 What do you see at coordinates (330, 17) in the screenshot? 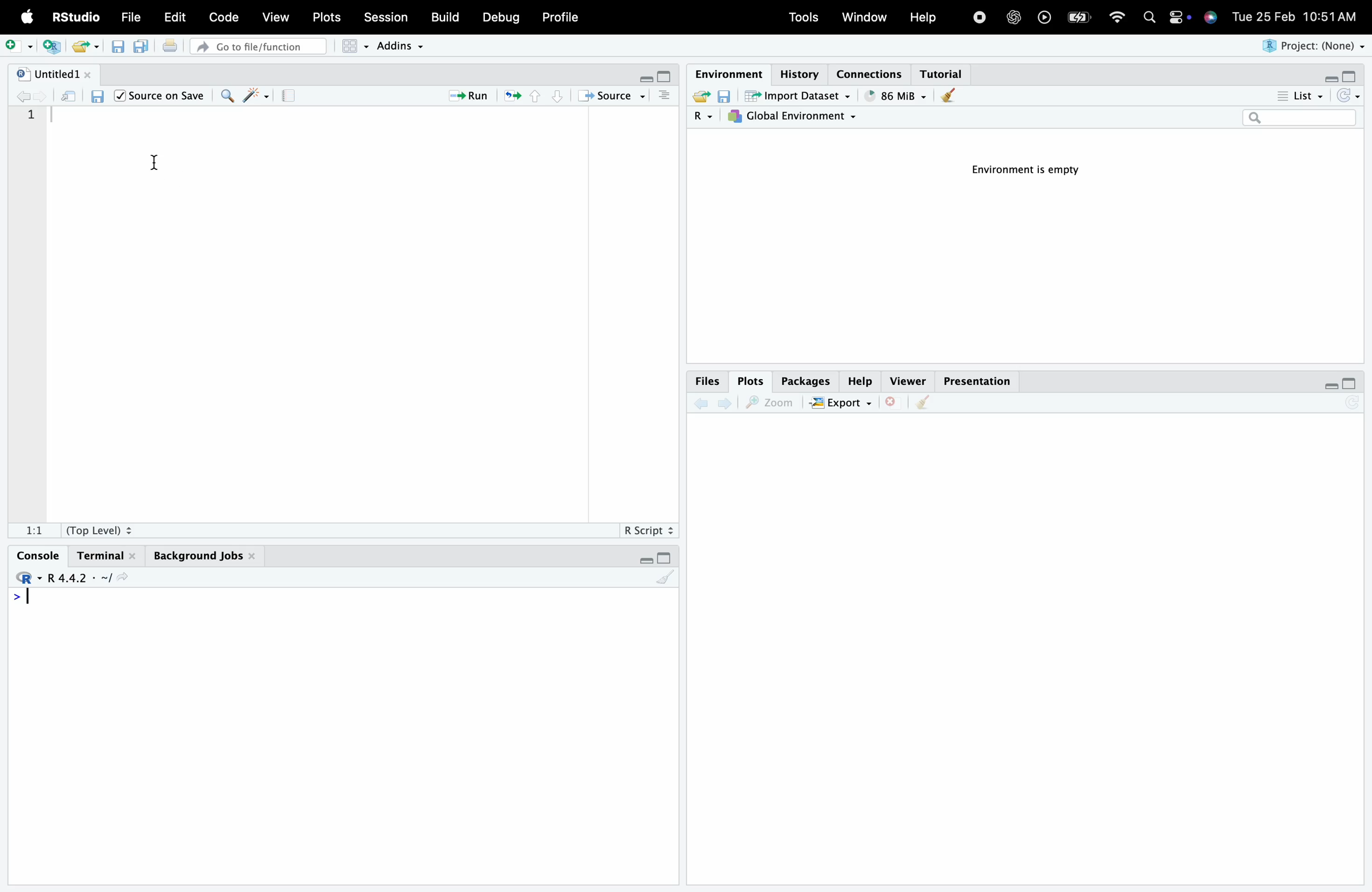
I see `Plots` at bounding box center [330, 17].